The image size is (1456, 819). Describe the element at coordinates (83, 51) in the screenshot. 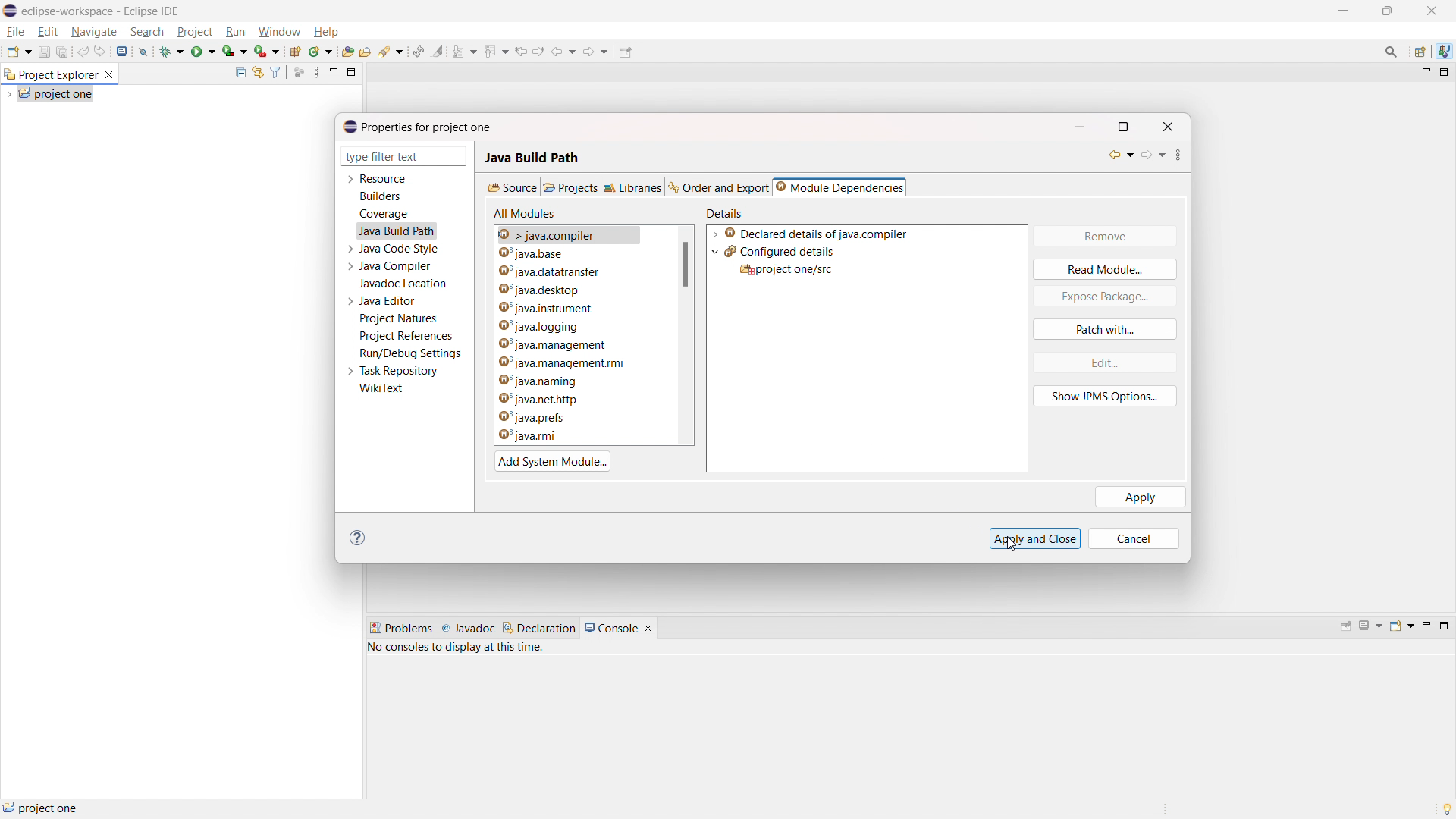

I see `undo` at that location.